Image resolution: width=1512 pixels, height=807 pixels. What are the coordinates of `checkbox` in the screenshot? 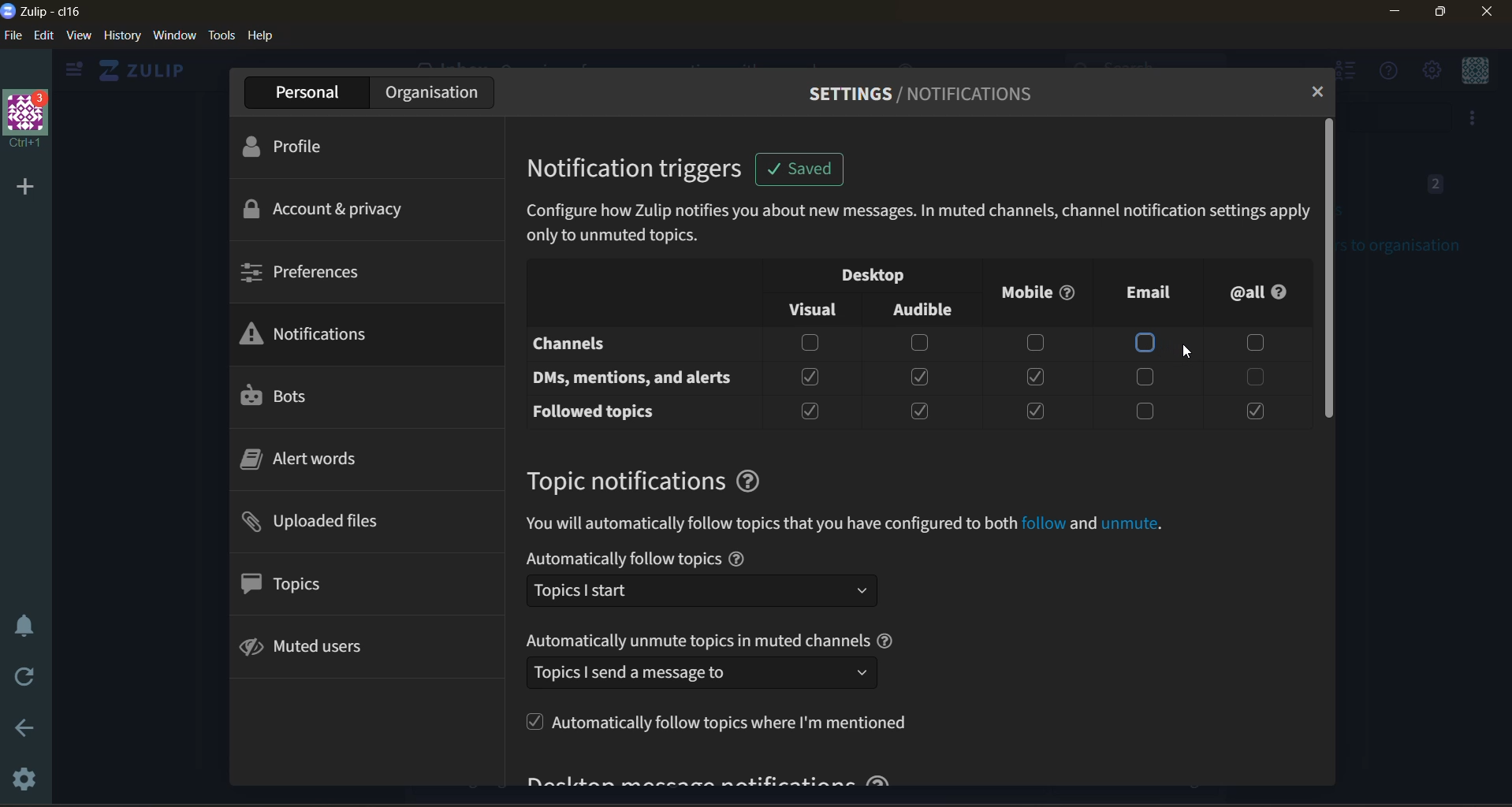 It's located at (1149, 342).